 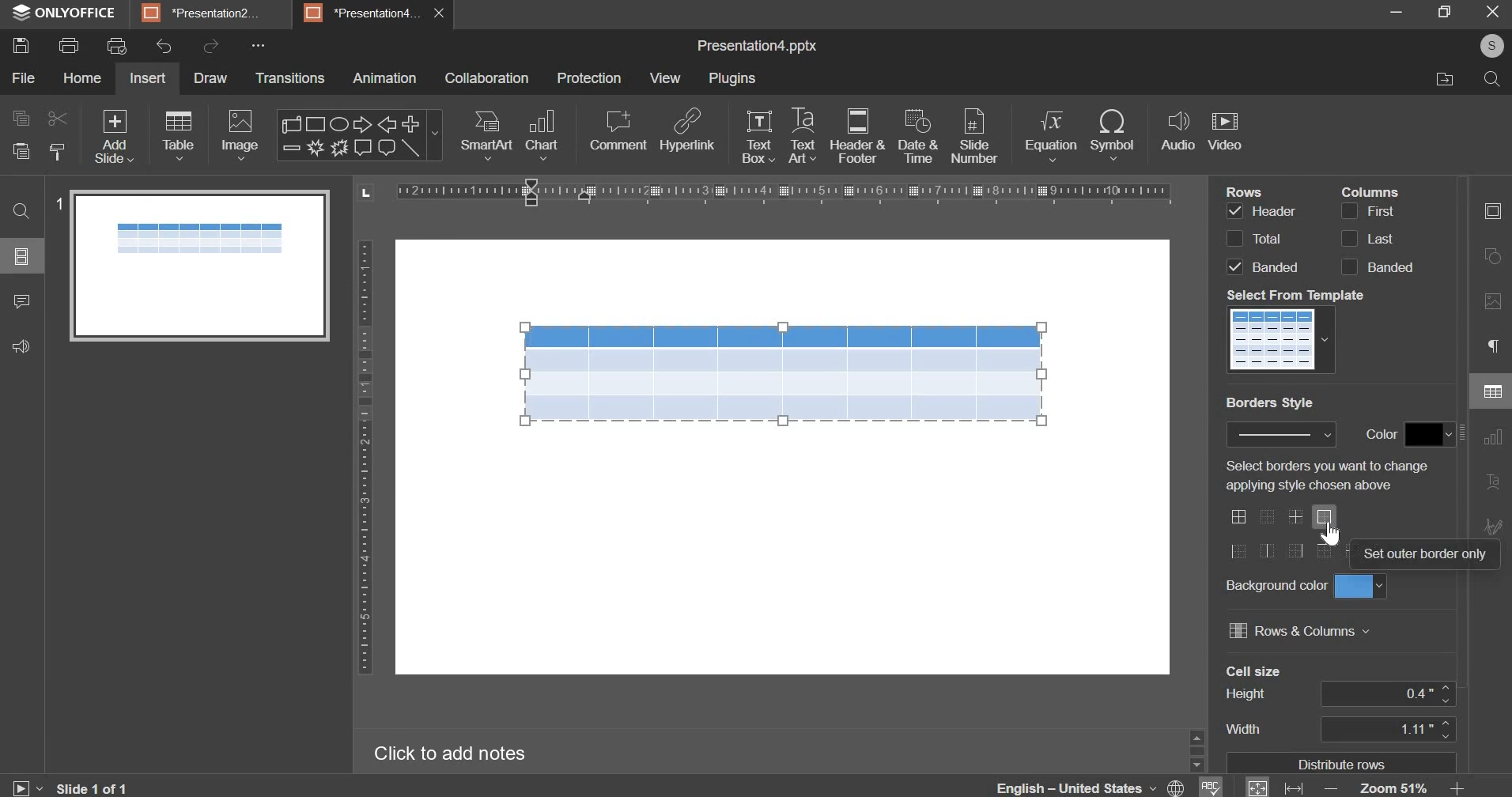 What do you see at coordinates (1198, 749) in the screenshot?
I see `slider` at bounding box center [1198, 749].